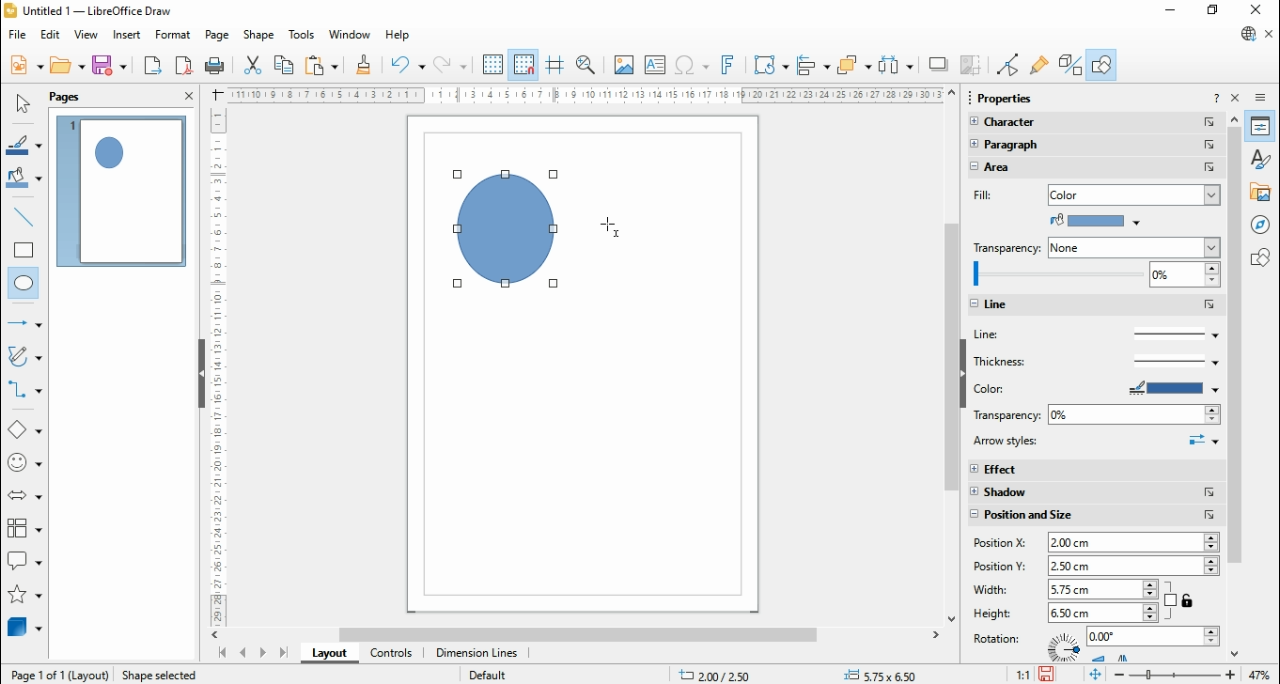 Image resolution: width=1280 pixels, height=684 pixels. What do you see at coordinates (218, 35) in the screenshot?
I see `page` at bounding box center [218, 35].